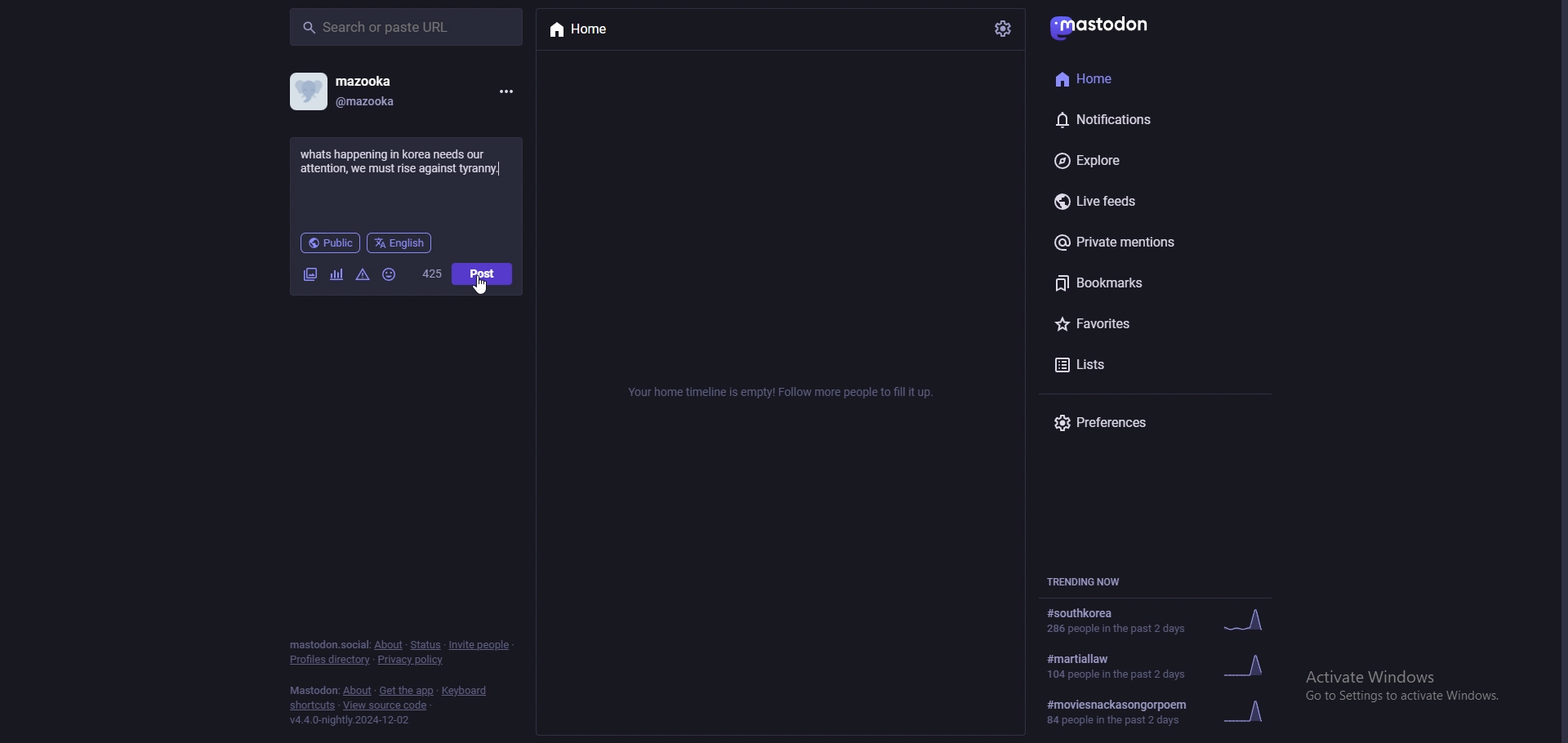 Image resolution: width=1568 pixels, height=743 pixels. Describe the element at coordinates (1142, 422) in the screenshot. I see `preferences` at that location.